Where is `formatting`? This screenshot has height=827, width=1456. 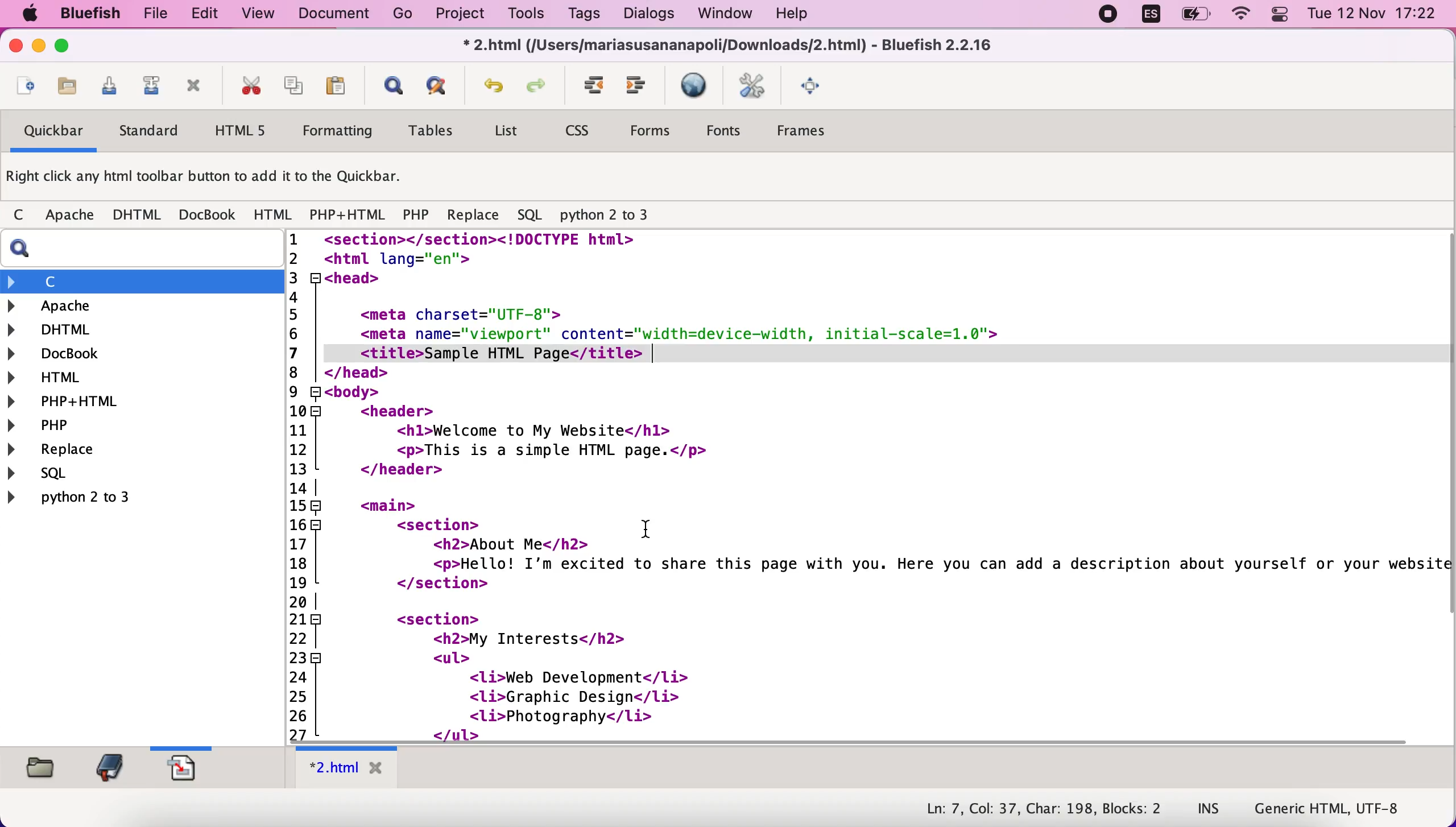
formatting is located at coordinates (344, 130).